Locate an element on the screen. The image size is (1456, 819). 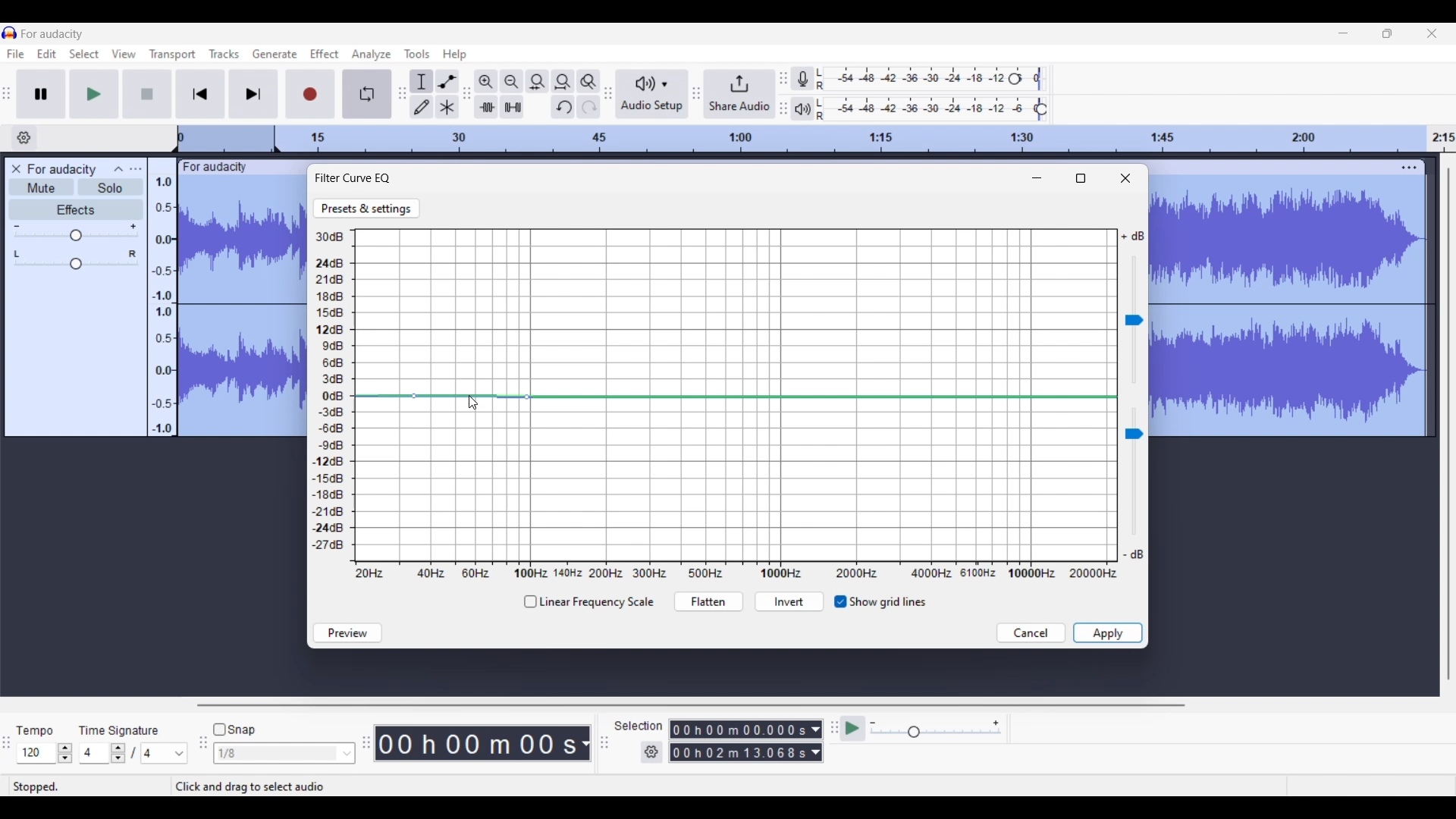
Envelop tool is located at coordinates (447, 81).